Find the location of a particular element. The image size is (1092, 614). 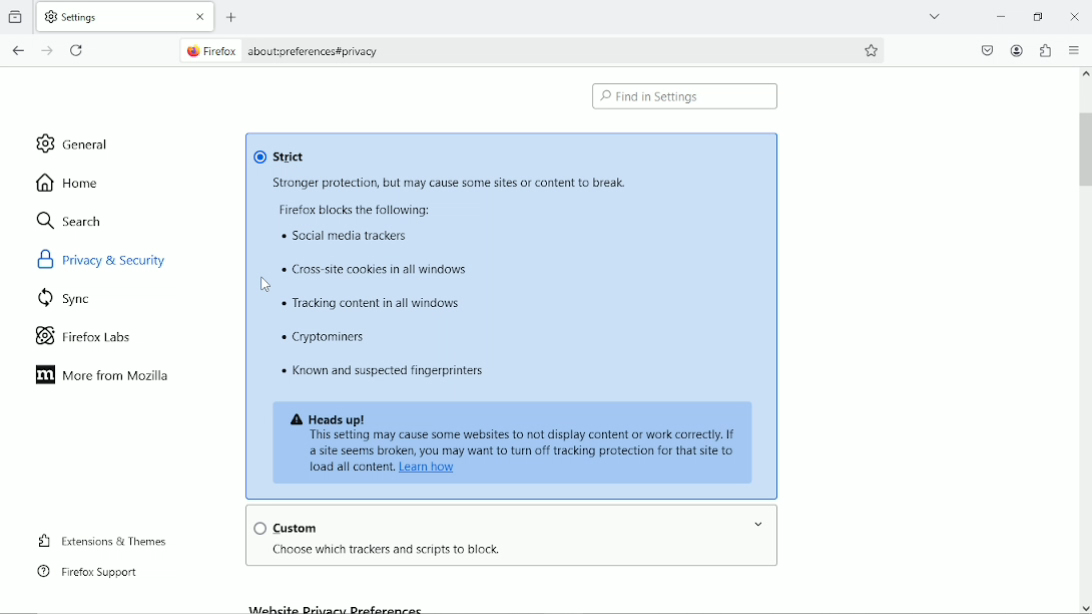

find in settings is located at coordinates (685, 97).